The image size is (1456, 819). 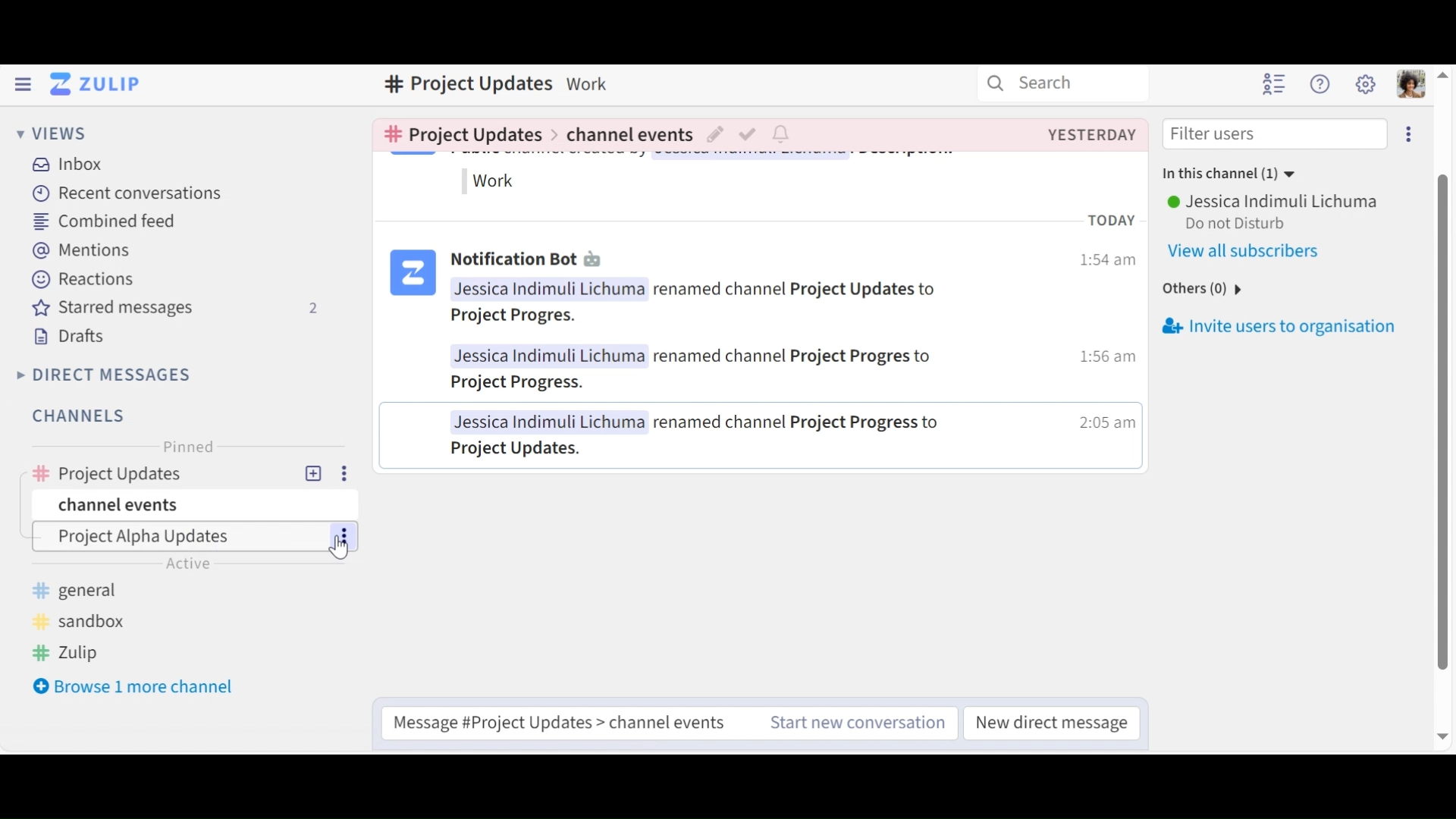 I want to click on View all users, so click(x=1254, y=251).